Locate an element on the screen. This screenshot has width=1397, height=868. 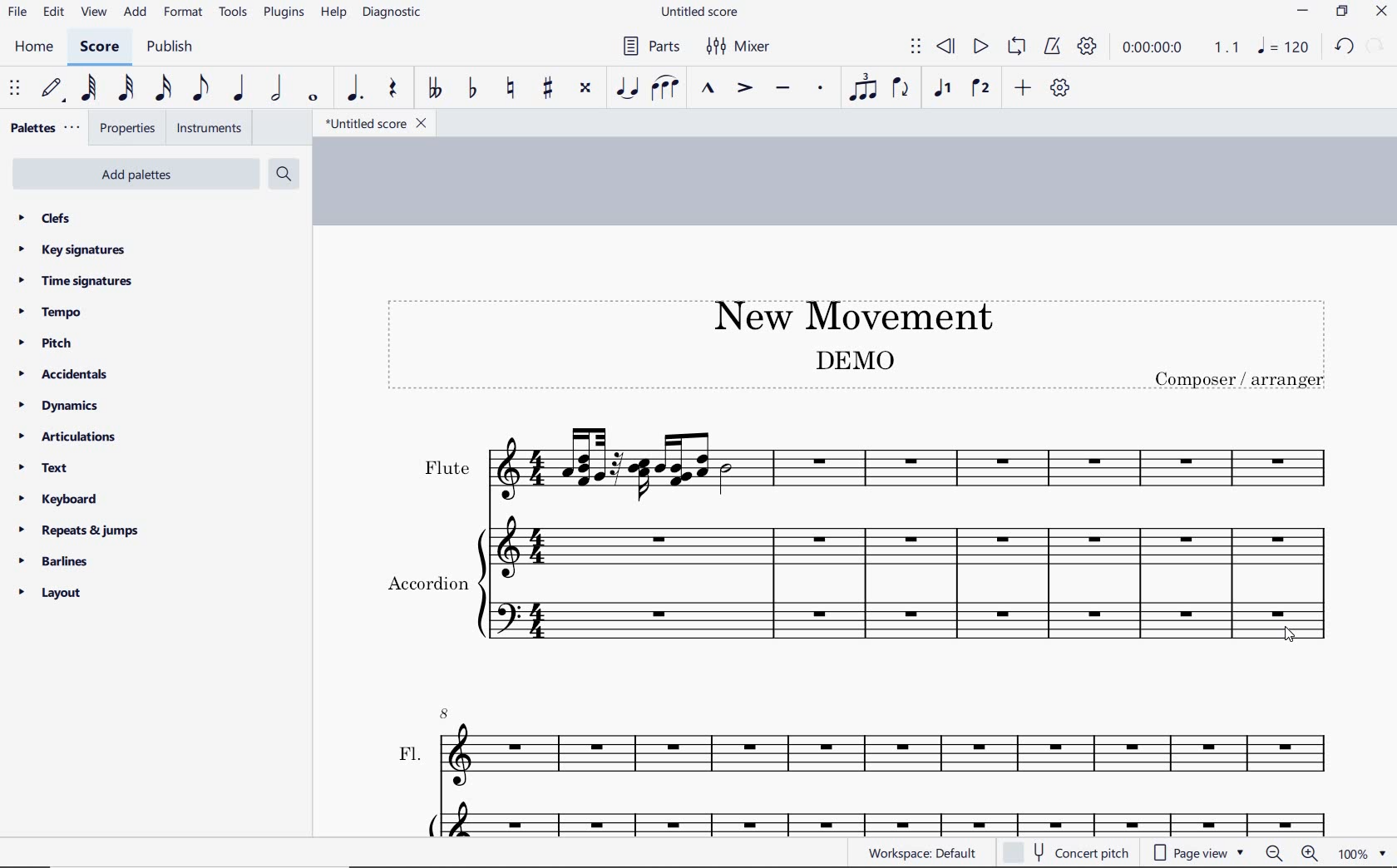
close is located at coordinates (1381, 13).